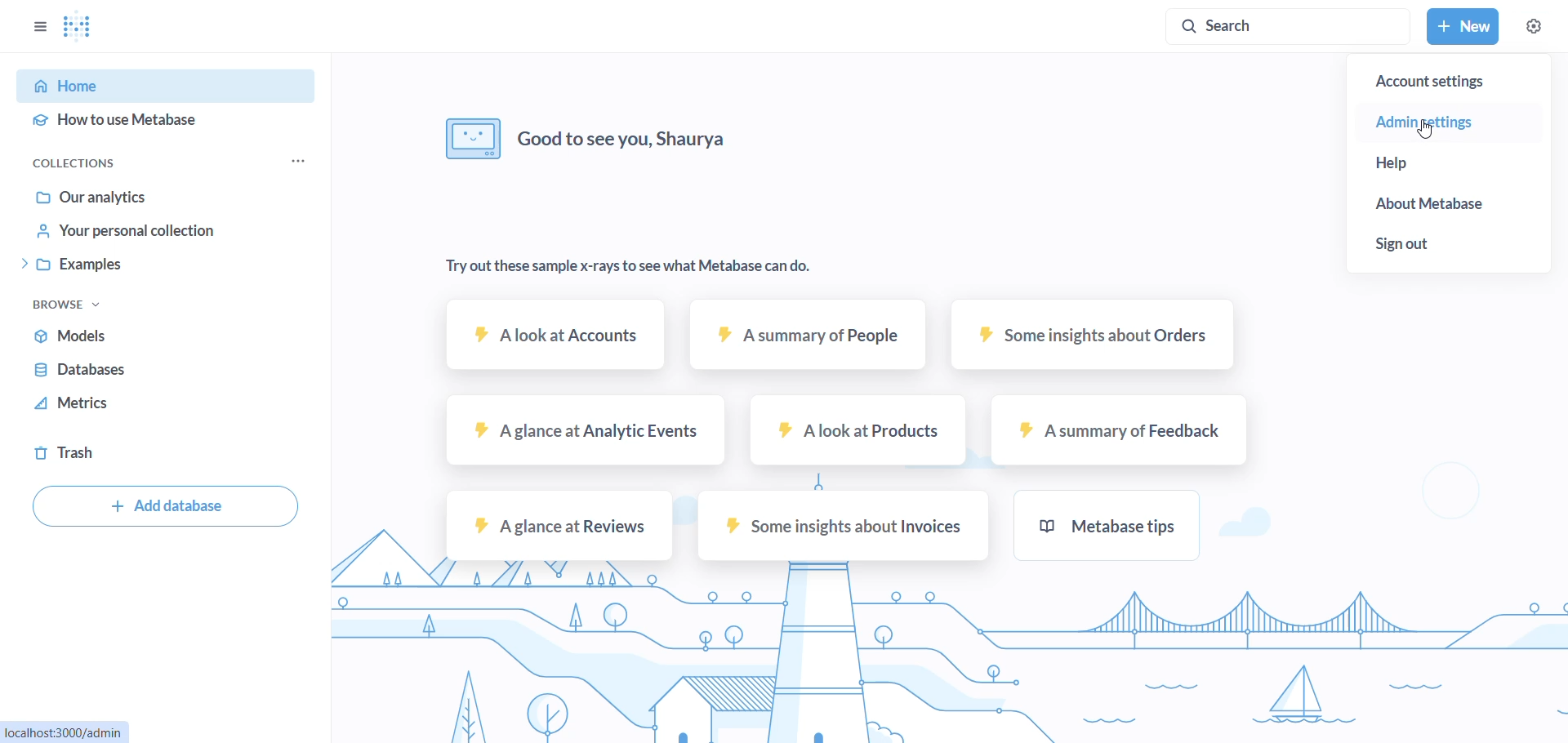 This screenshot has width=1568, height=743. I want to click on Good to see you, Shaurya, so click(579, 137).